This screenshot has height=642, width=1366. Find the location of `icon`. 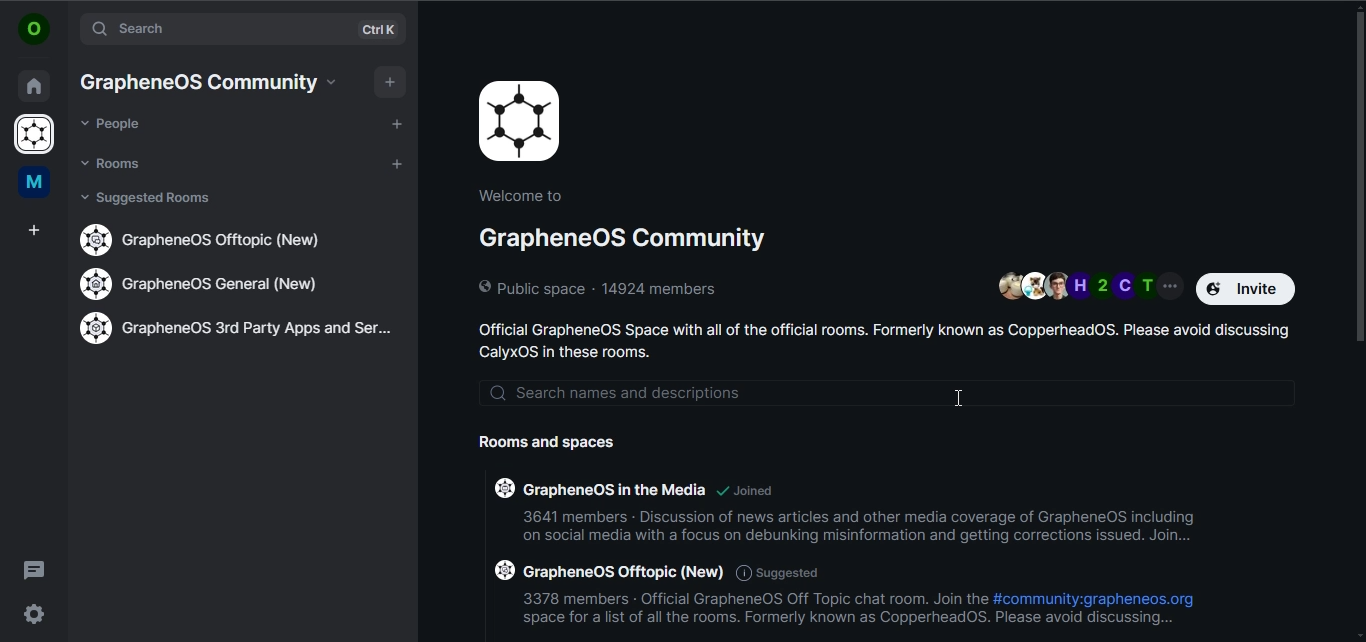

icon is located at coordinates (520, 121).